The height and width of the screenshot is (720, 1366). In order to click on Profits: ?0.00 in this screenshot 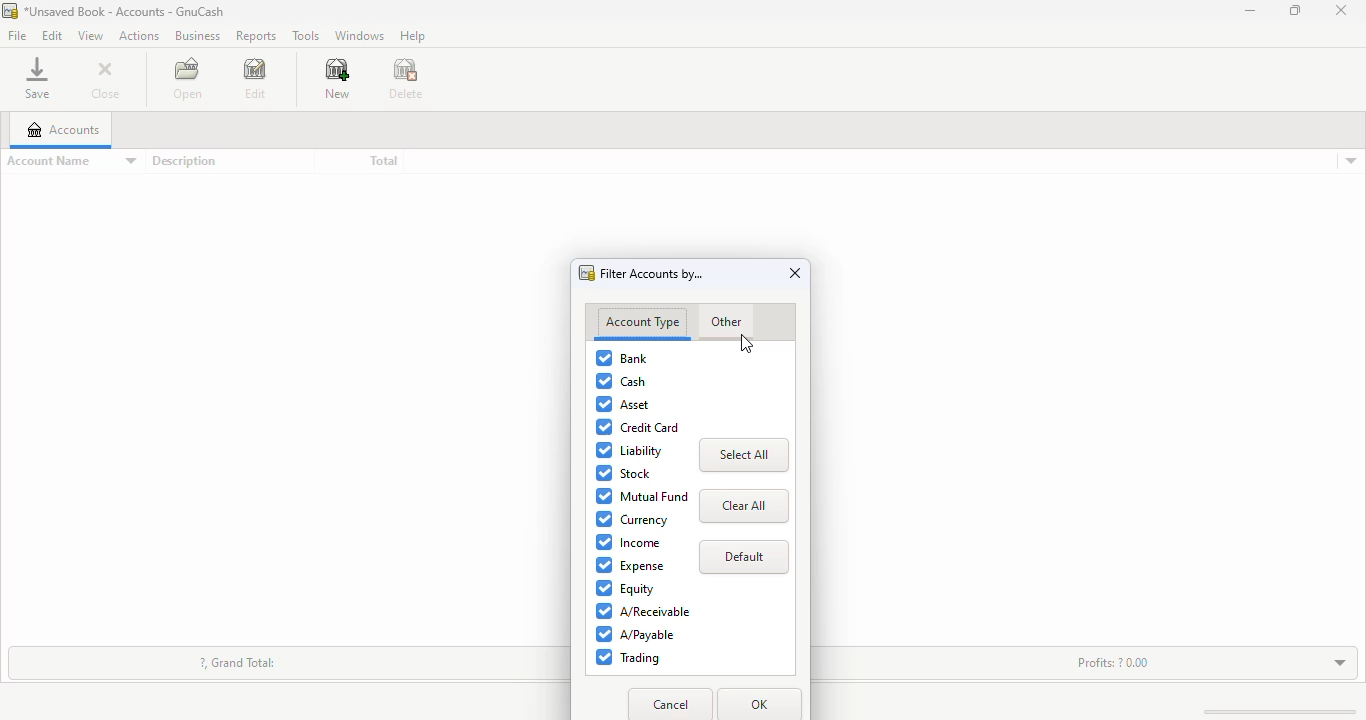, I will do `click(1113, 662)`.